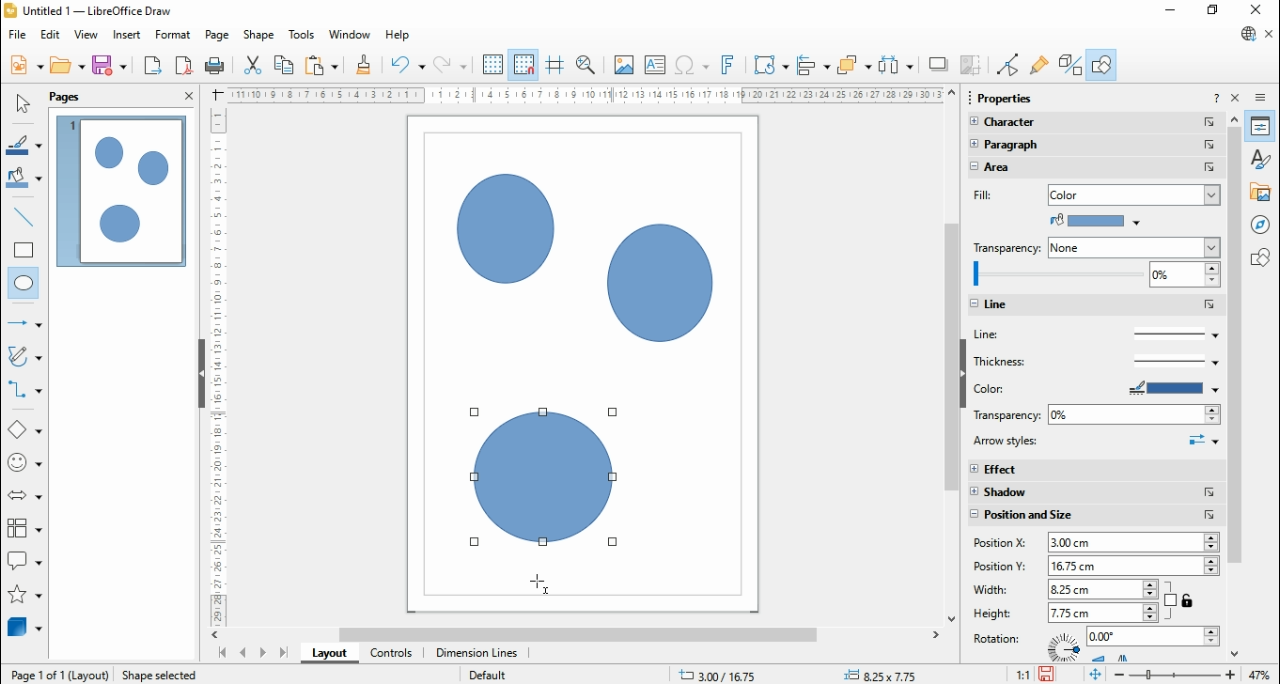  Describe the element at coordinates (263, 654) in the screenshot. I see `next page` at that location.